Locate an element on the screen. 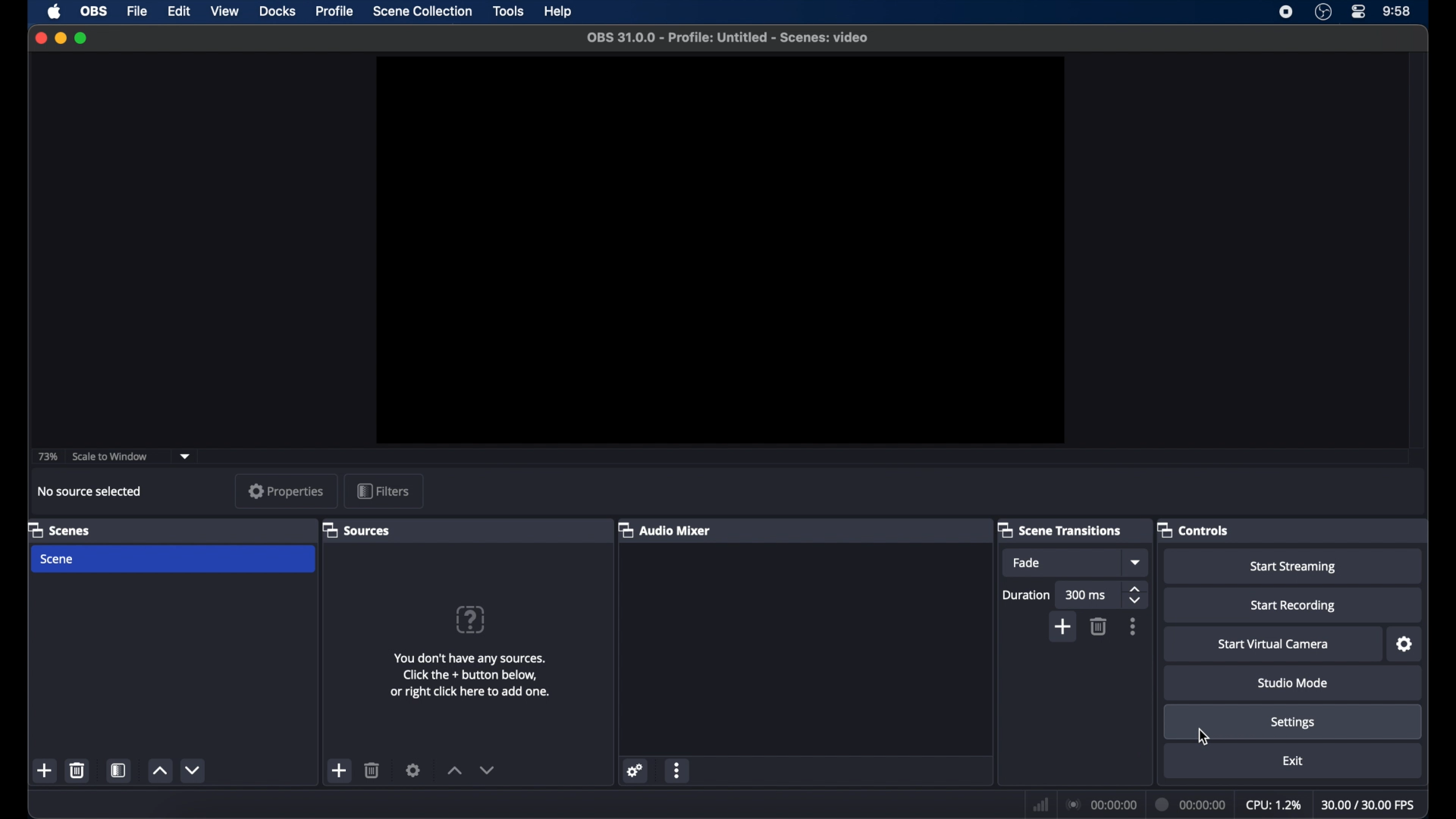  scale to window is located at coordinates (111, 455).